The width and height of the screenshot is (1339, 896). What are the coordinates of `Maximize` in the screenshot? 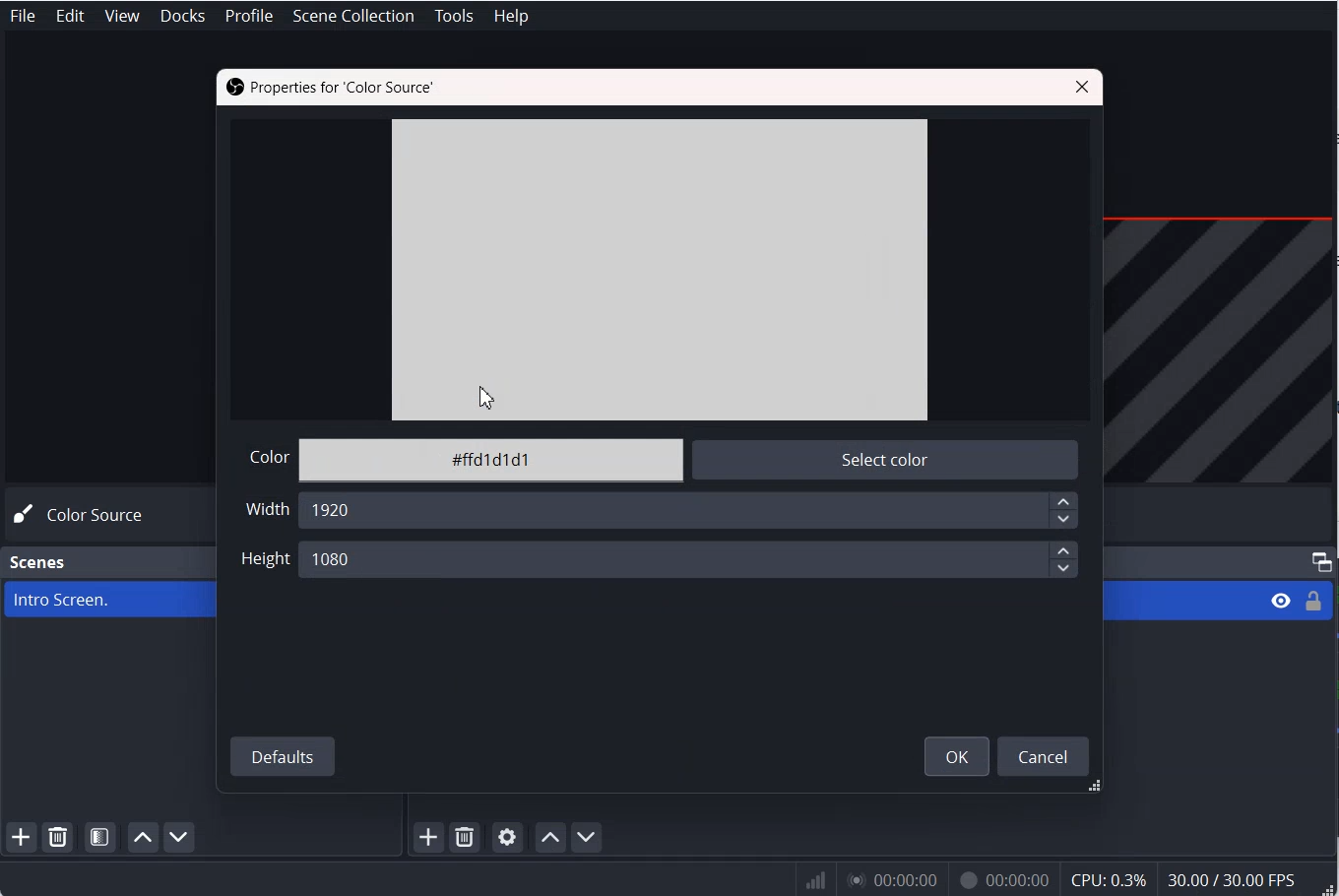 It's located at (1321, 561).